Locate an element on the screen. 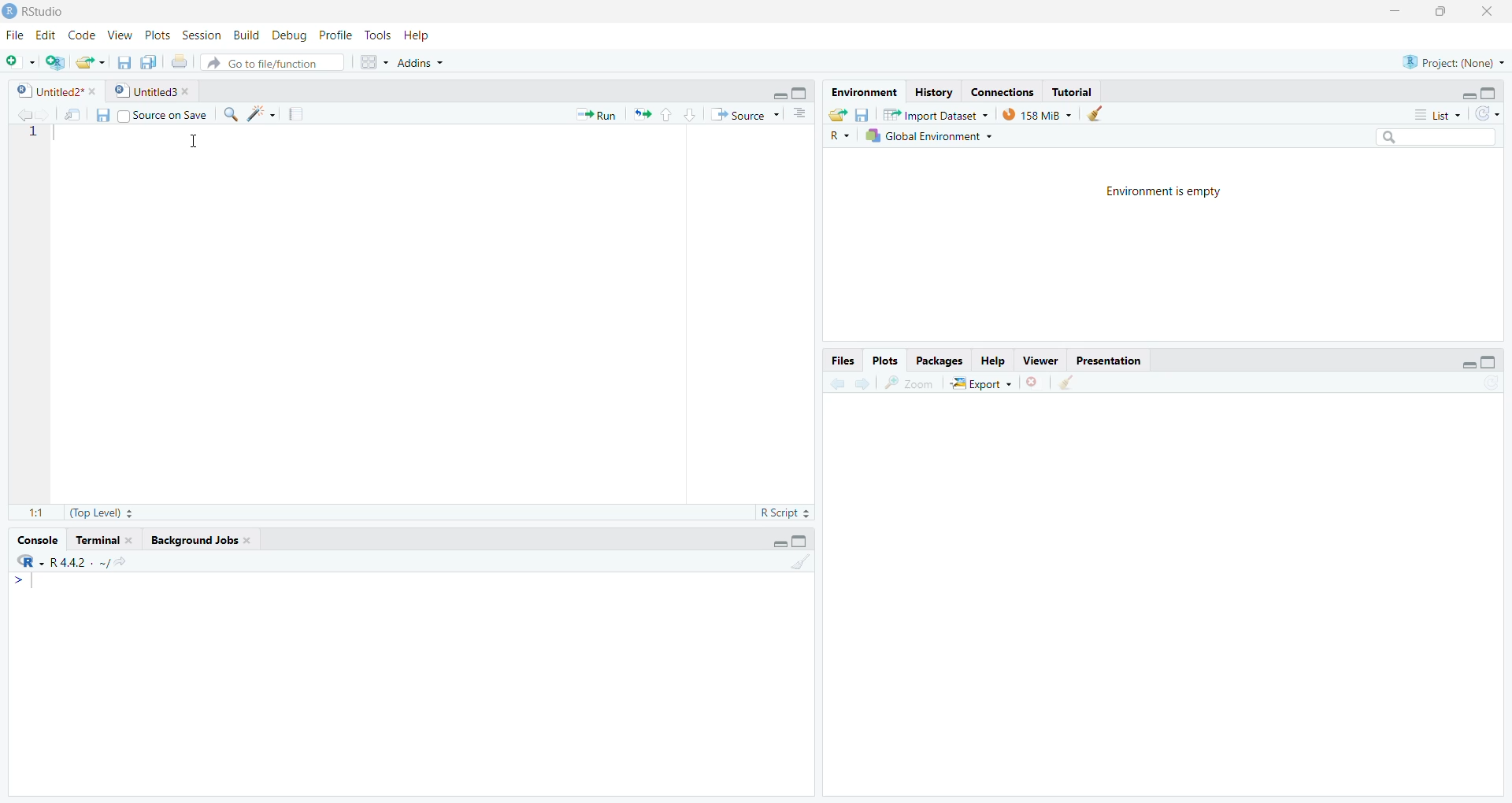 The image size is (1512, 803).  is located at coordinates (835, 113).